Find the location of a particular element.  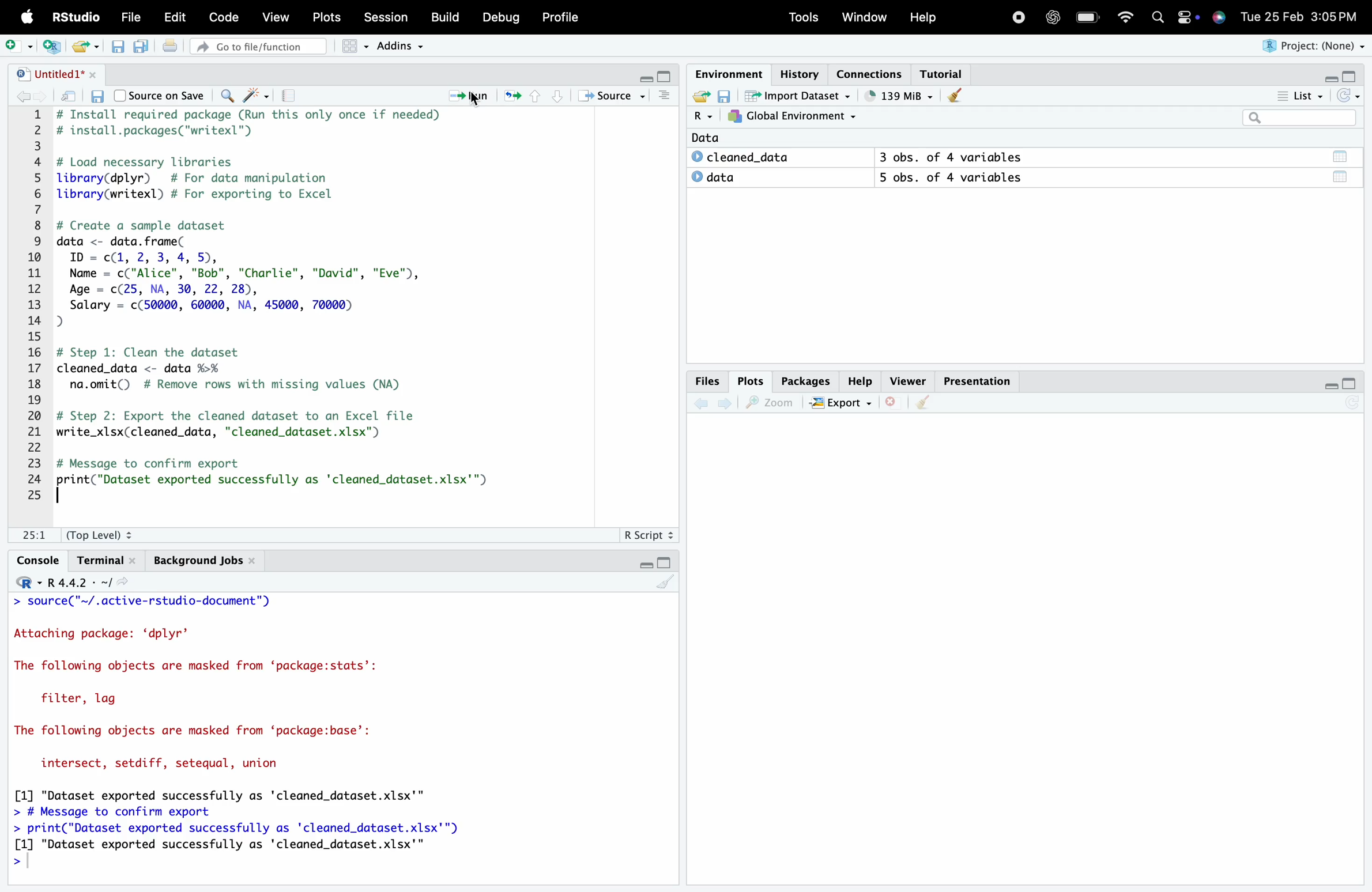

Data
© cleaned_data 3 obs. of 4 variables
© data 5 obs. of 4 variables is located at coordinates (868, 161).